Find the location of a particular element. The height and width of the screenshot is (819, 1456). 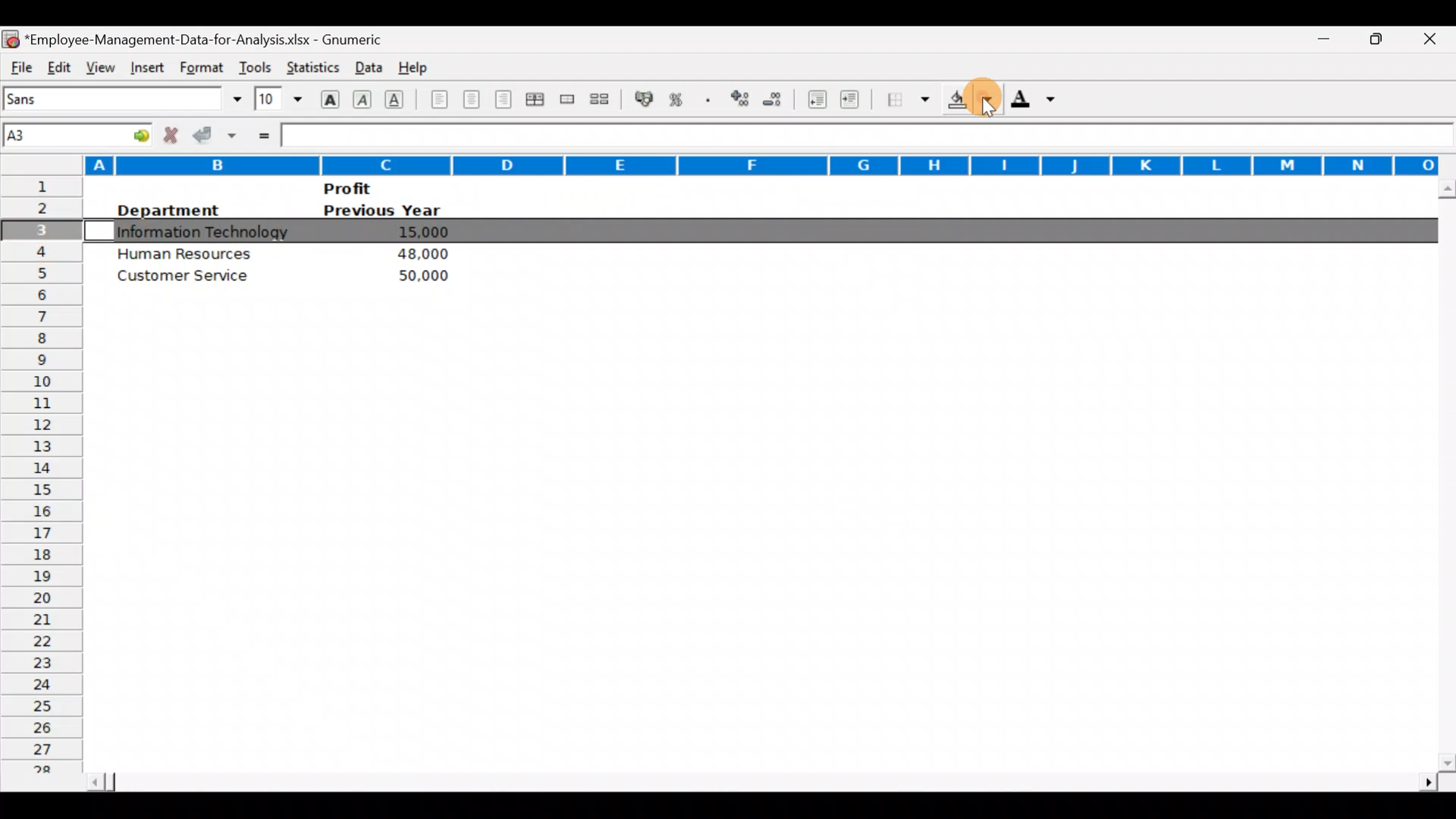

Cell name is located at coordinates (79, 131).